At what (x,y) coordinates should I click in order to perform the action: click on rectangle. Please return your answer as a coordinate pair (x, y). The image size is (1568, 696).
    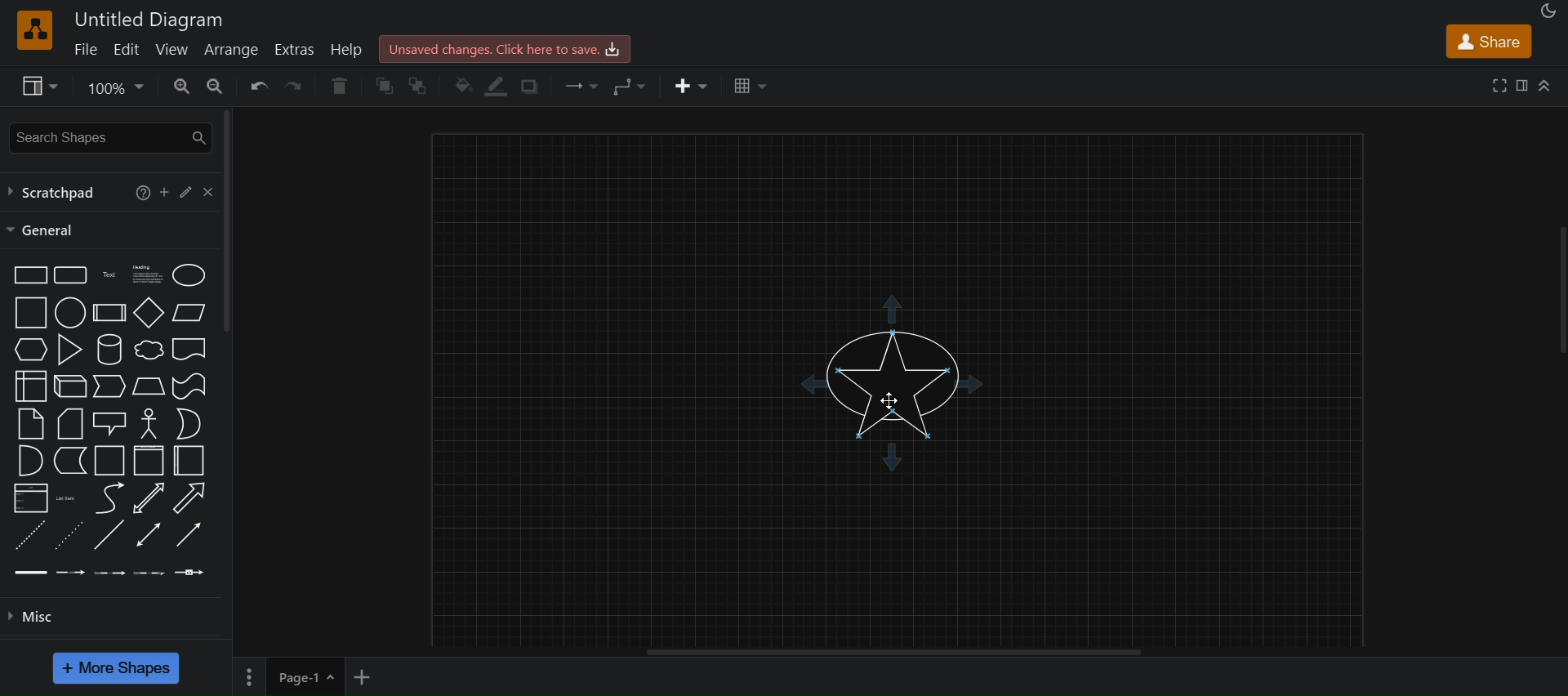
    Looking at the image, I should click on (28, 274).